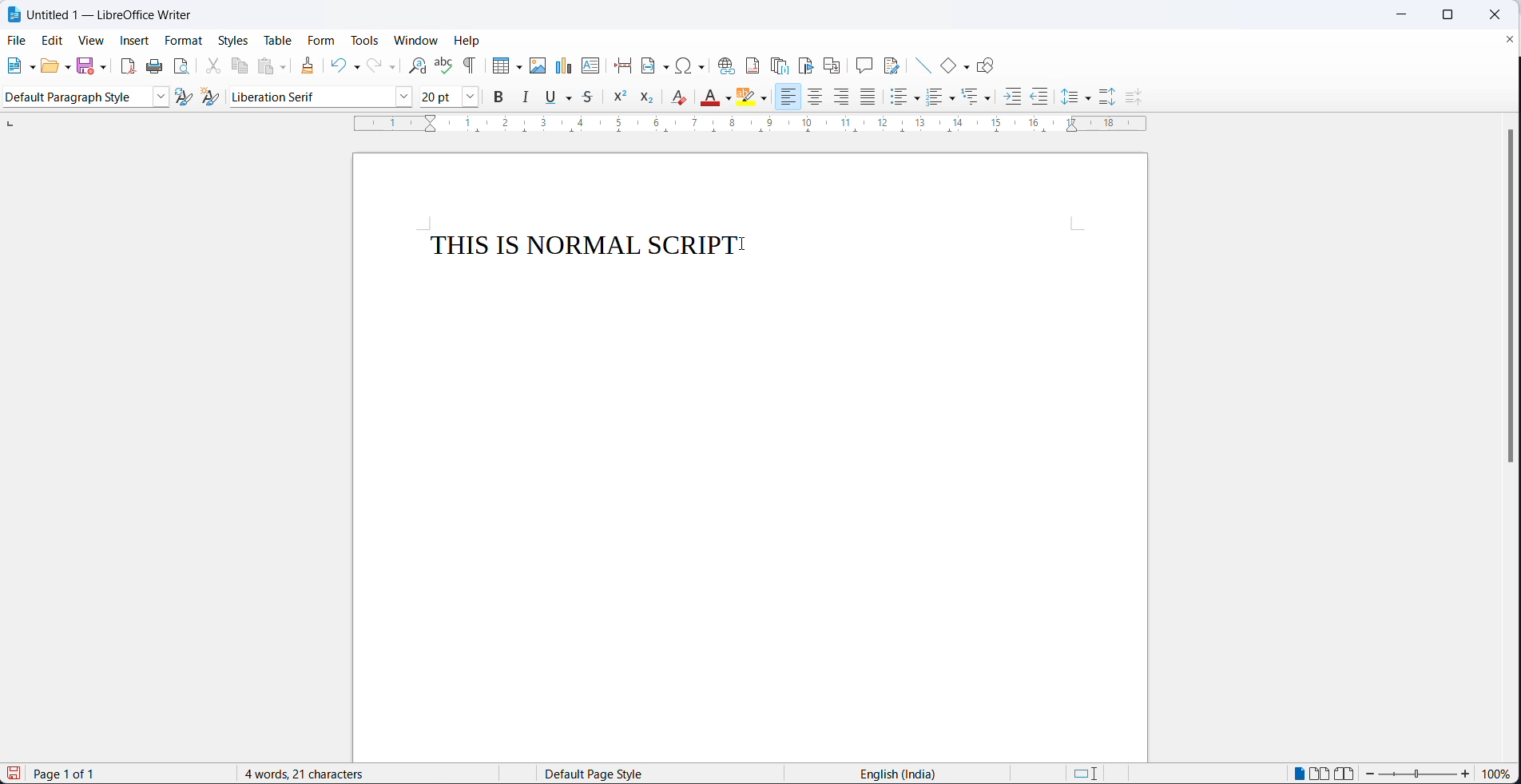 The image size is (1521, 784). I want to click on print, so click(153, 68).